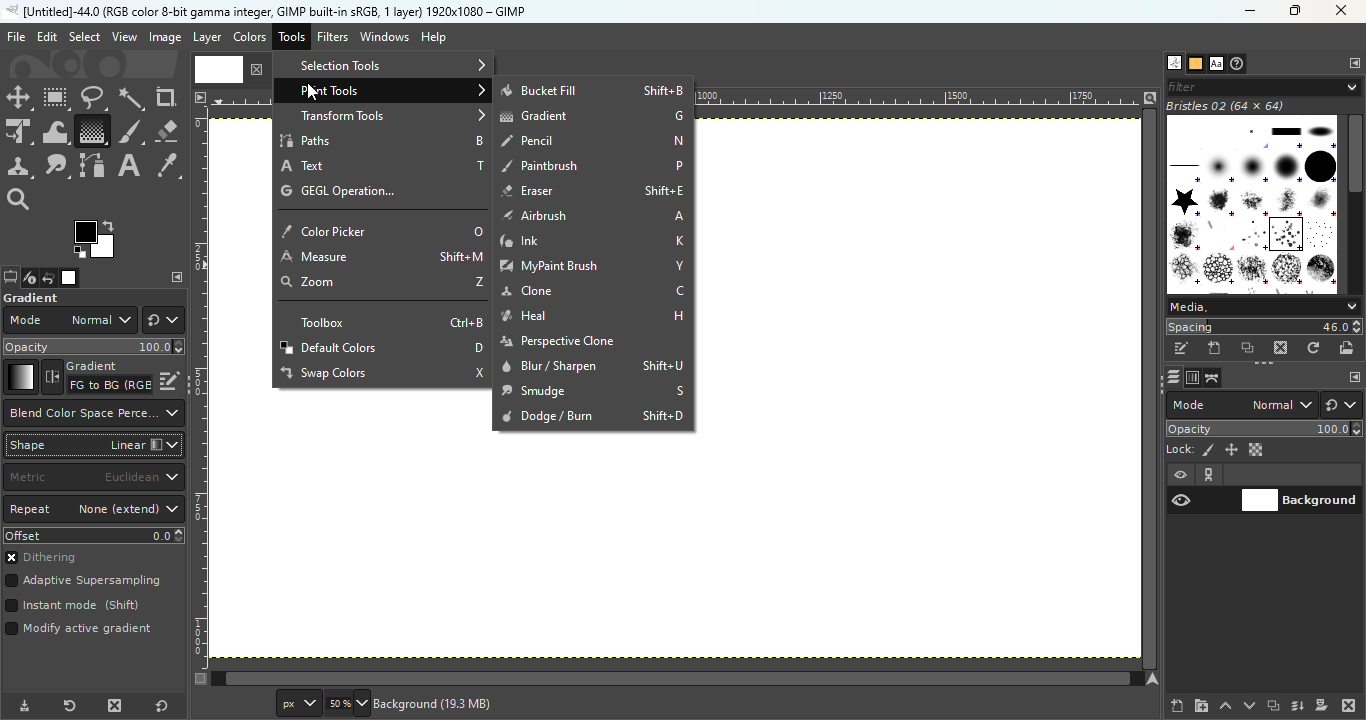 This screenshot has width=1366, height=720. Describe the element at coordinates (1264, 86) in the screenshot. I see `Filter` at that location.